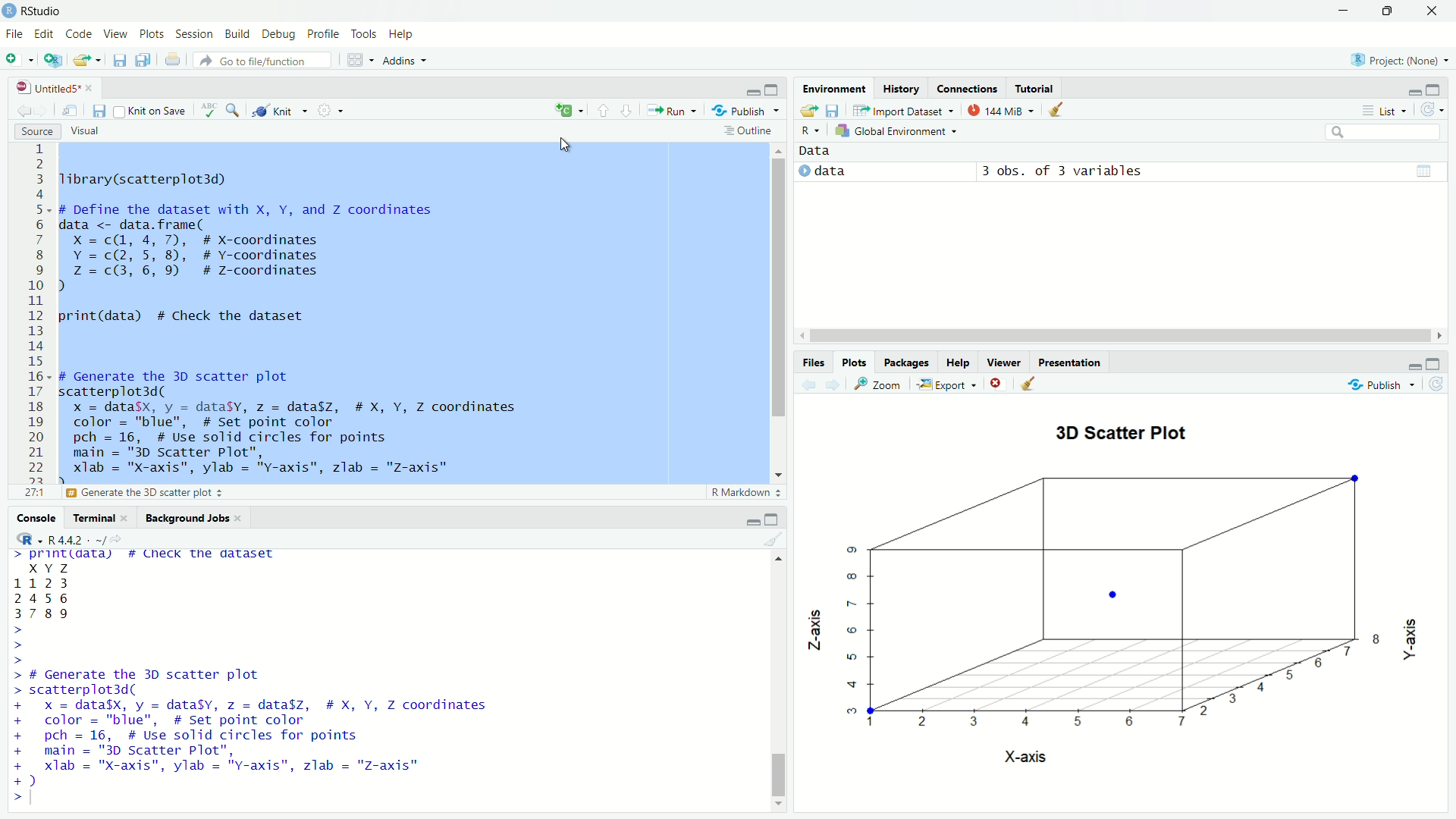 The width and height of the screenshot is (1456, 819). Describe the element at coordinates (1414, 639) in the screenshot. I see `y-axis` at that location.